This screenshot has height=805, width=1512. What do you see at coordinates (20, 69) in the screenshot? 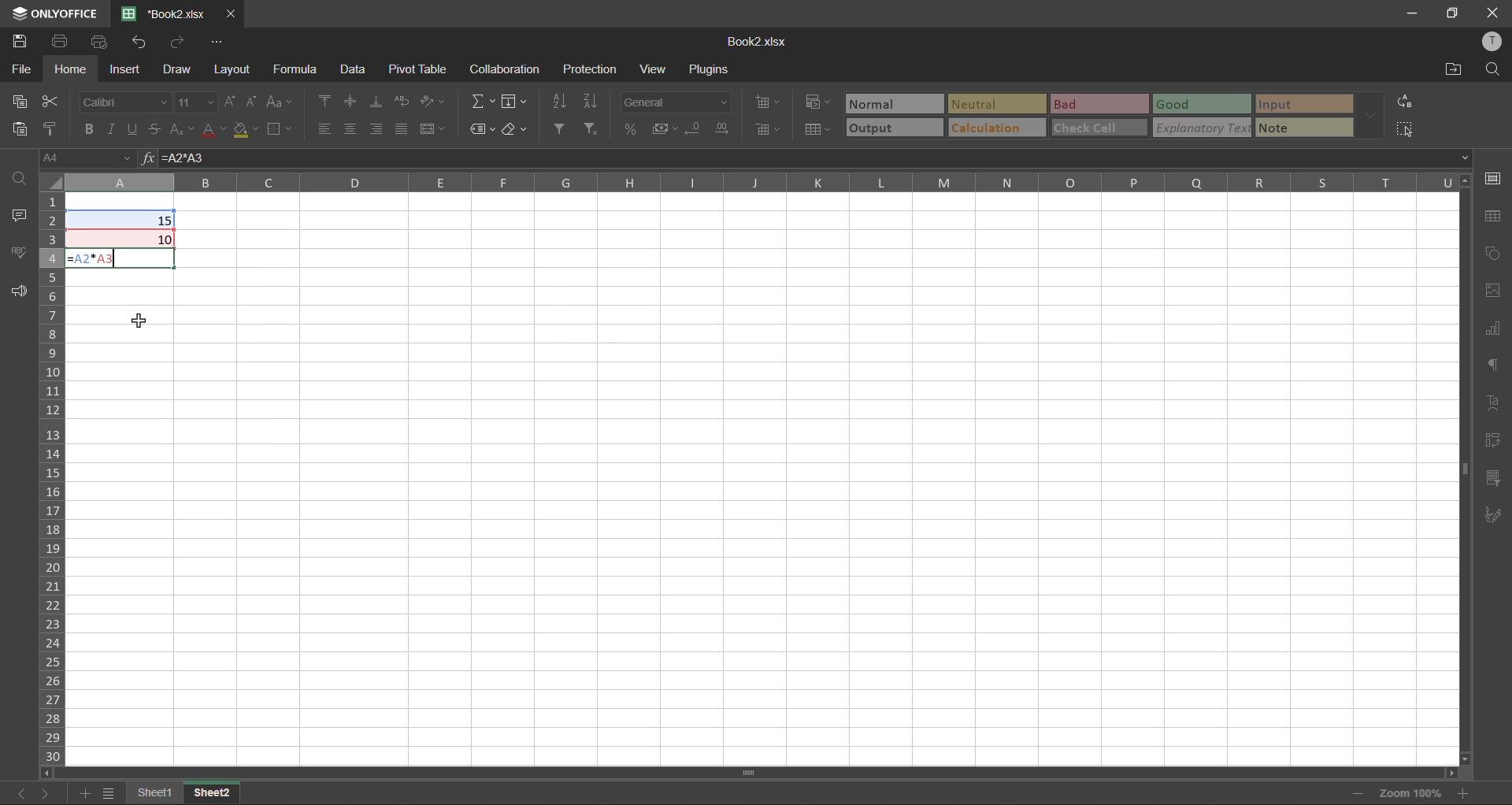
I see `file` at bounding box center [20, 69].